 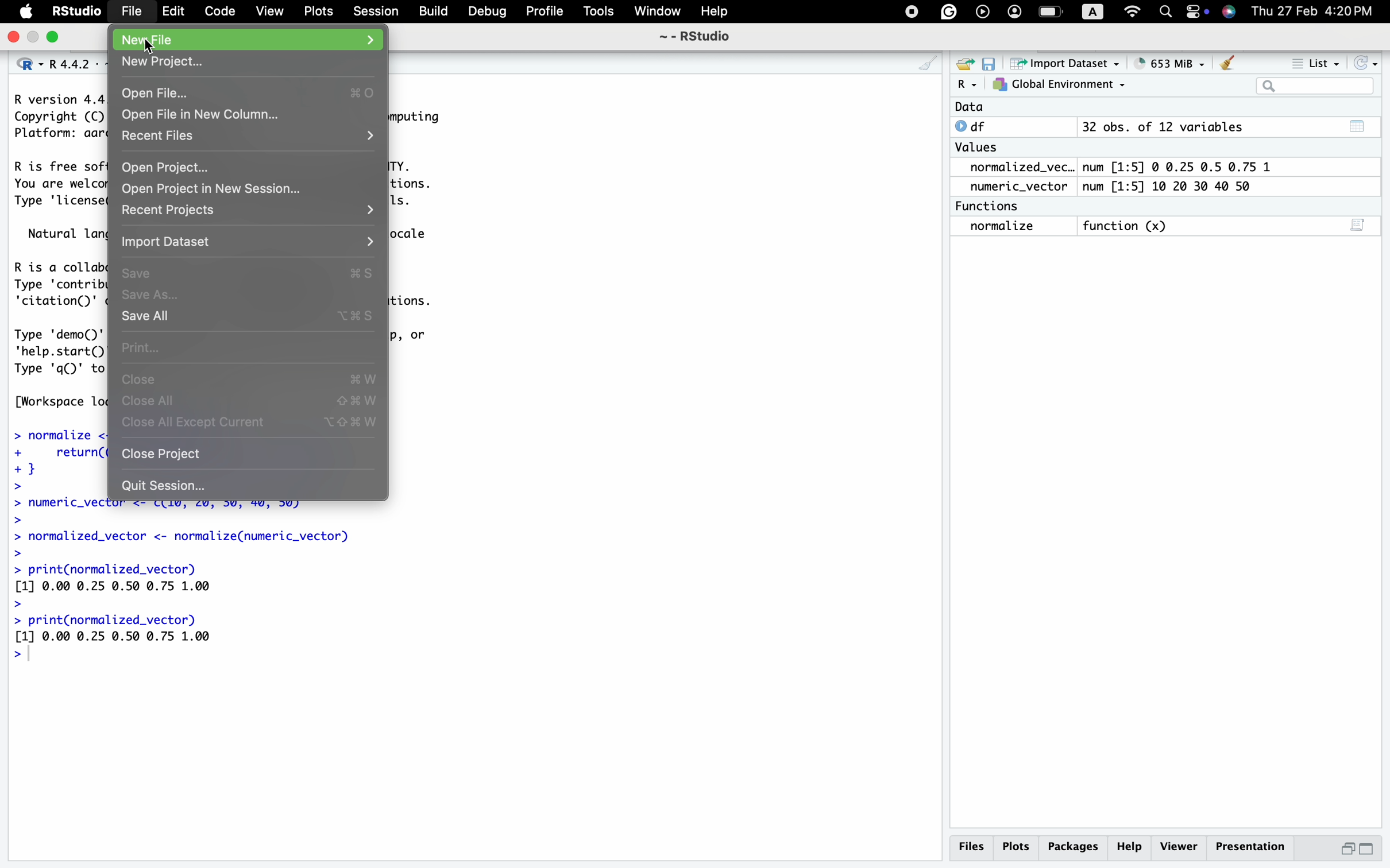 I want to click on Recent Projects, so click(x=173, y=211).